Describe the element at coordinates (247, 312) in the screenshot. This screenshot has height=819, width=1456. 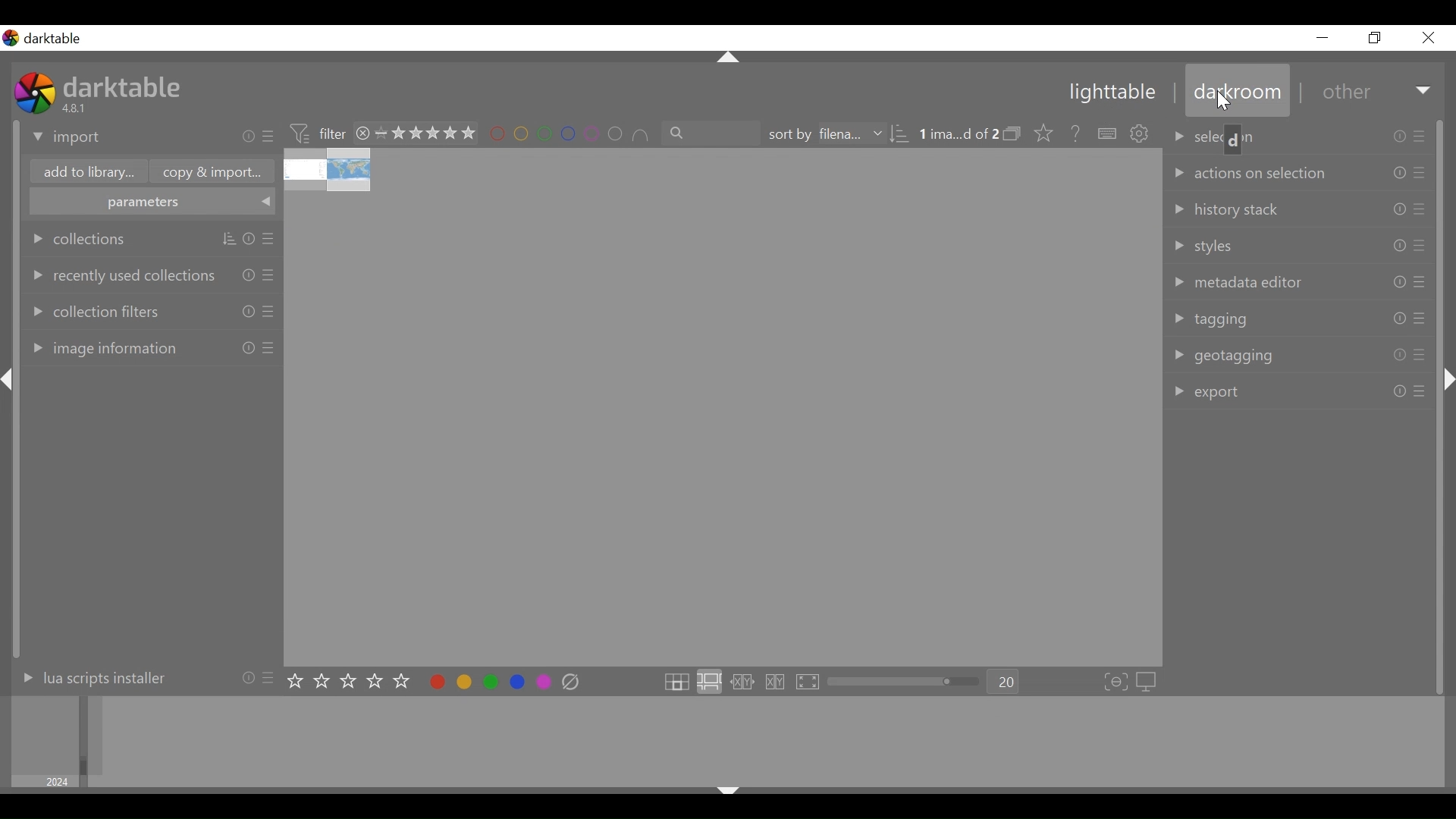
I see `` at that location.